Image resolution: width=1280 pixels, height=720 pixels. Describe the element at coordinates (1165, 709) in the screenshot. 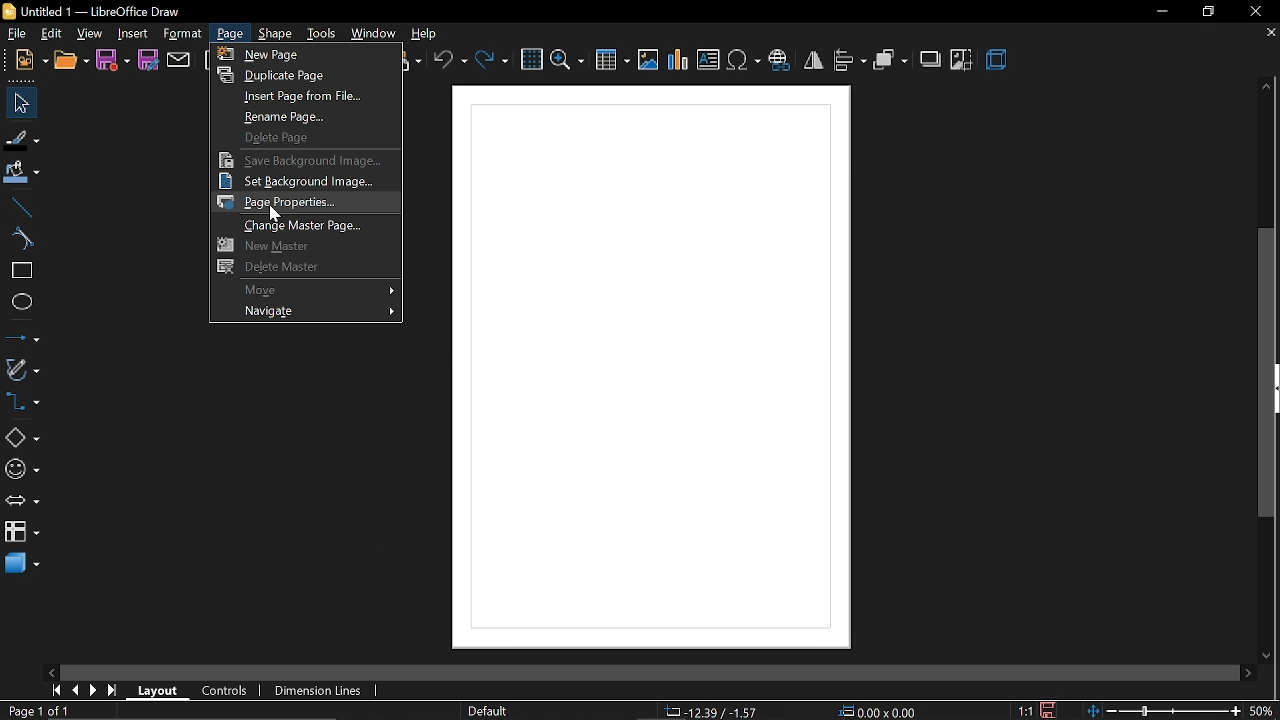

I see `change zoom` at that location.